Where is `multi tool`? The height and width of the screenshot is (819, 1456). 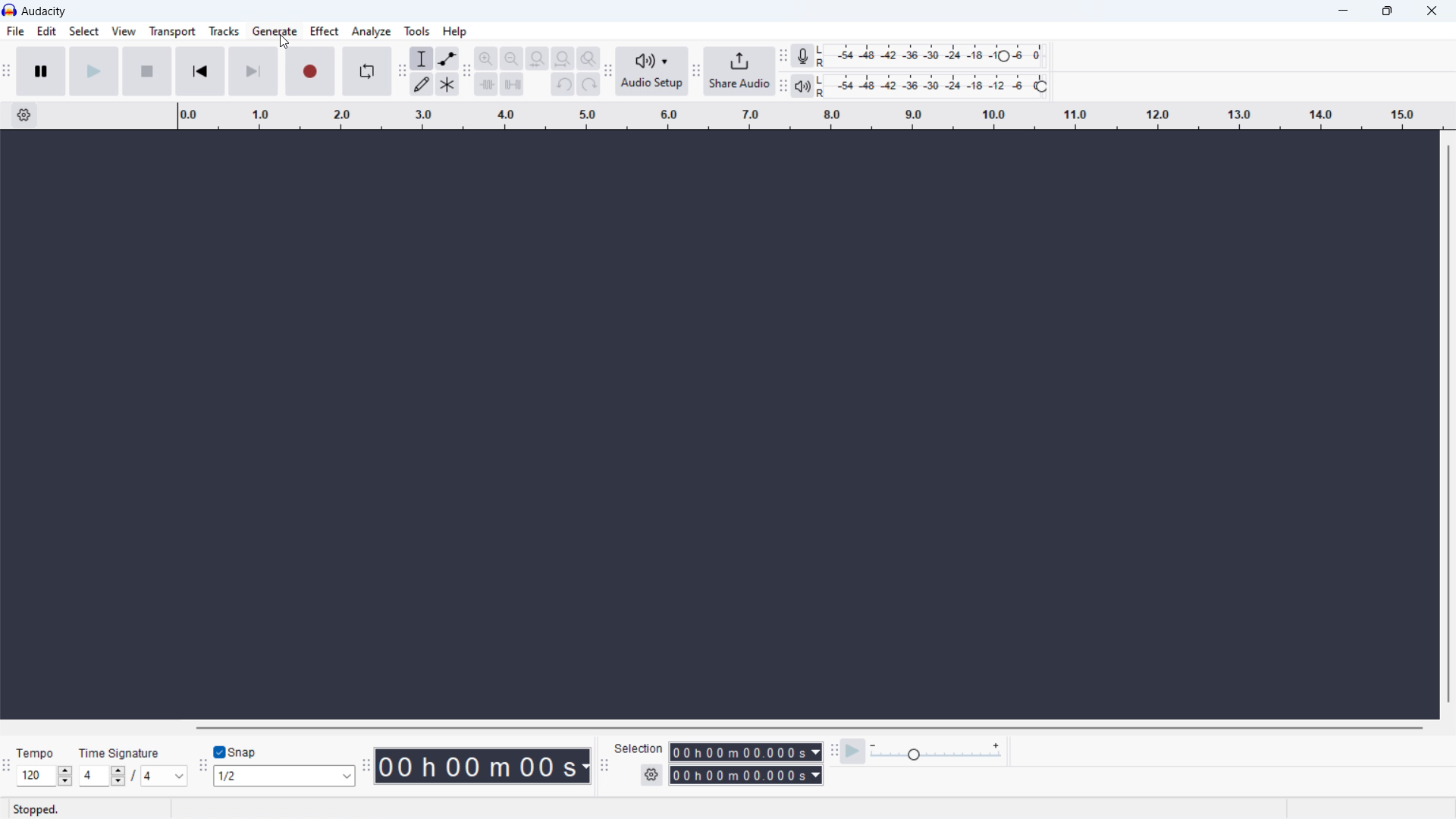 multi tool is located at coordinates (447, 84).